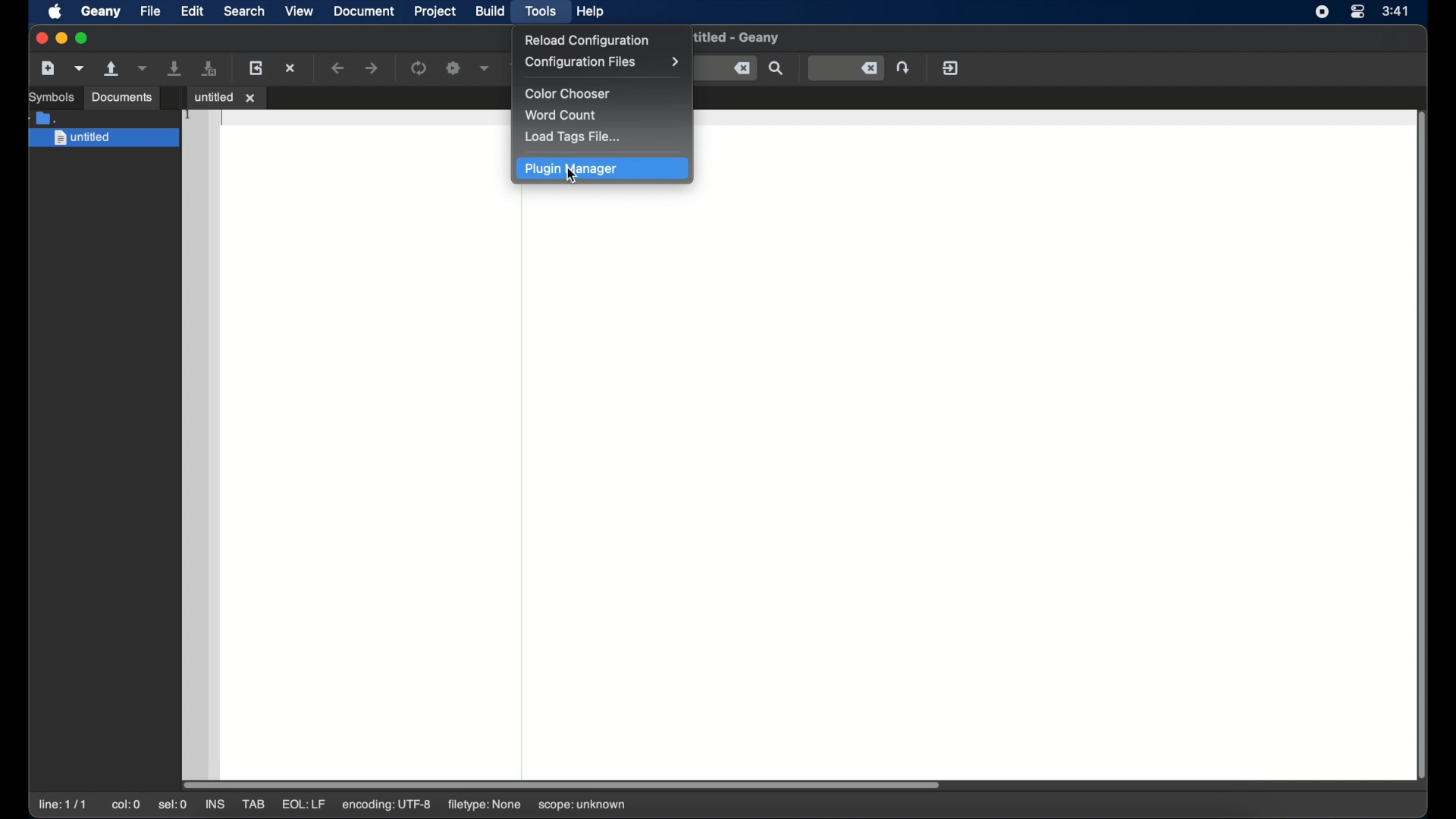  I want to click on close, so click(40, 39).